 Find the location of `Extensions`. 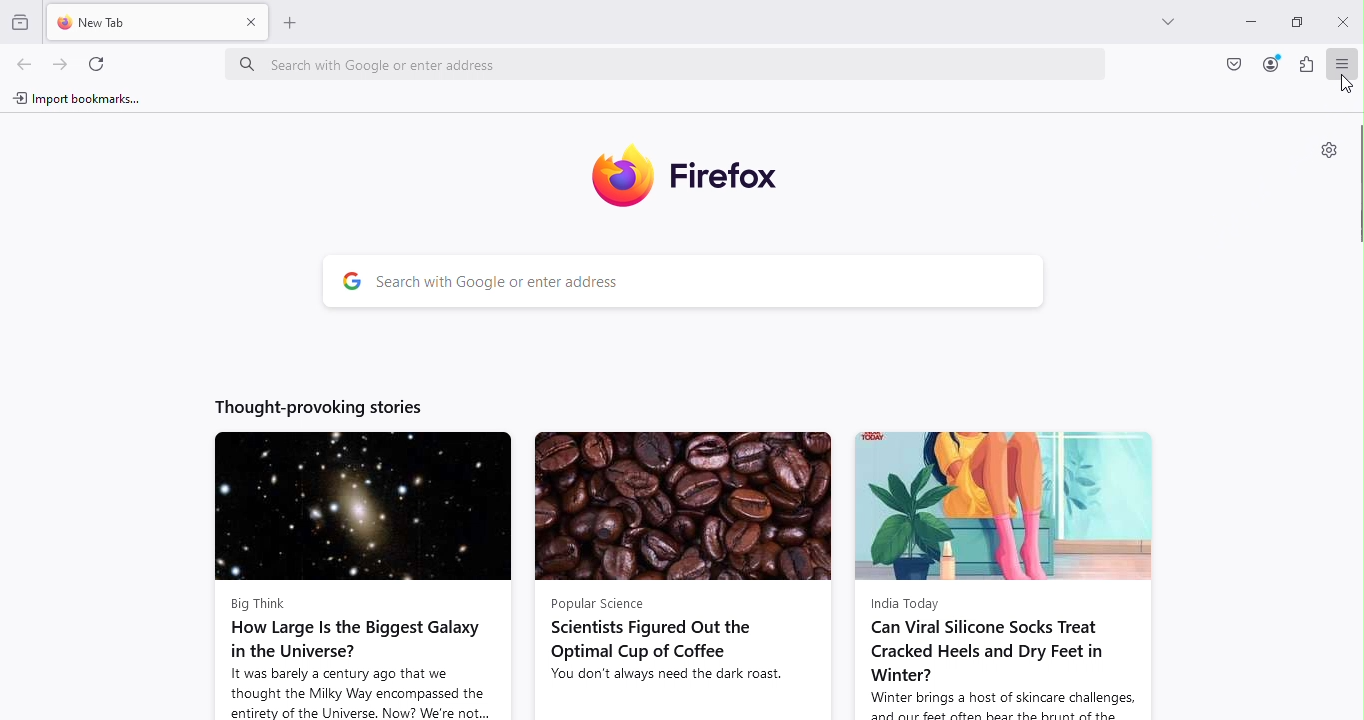

Extensions is located at coordinates (1307, 64).